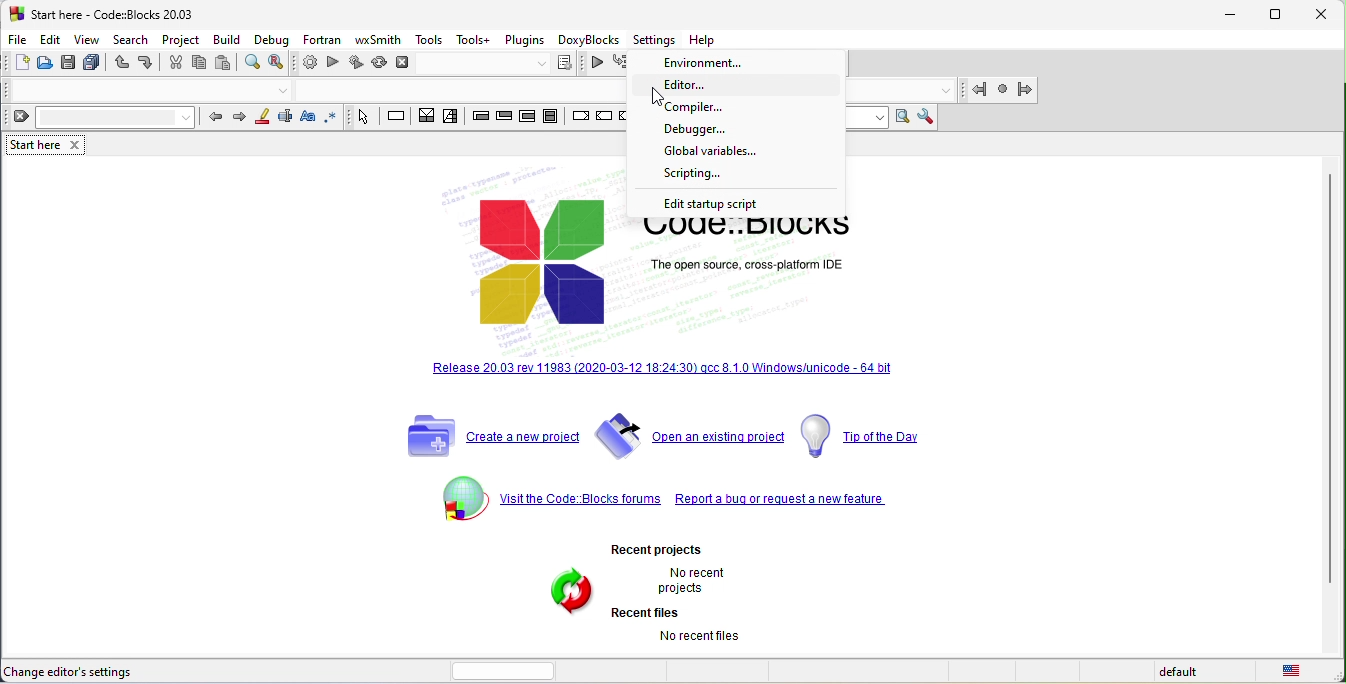 The height and width of the screenshot is (684, 1346). I want to click on last jamp, so click(1002, 90).